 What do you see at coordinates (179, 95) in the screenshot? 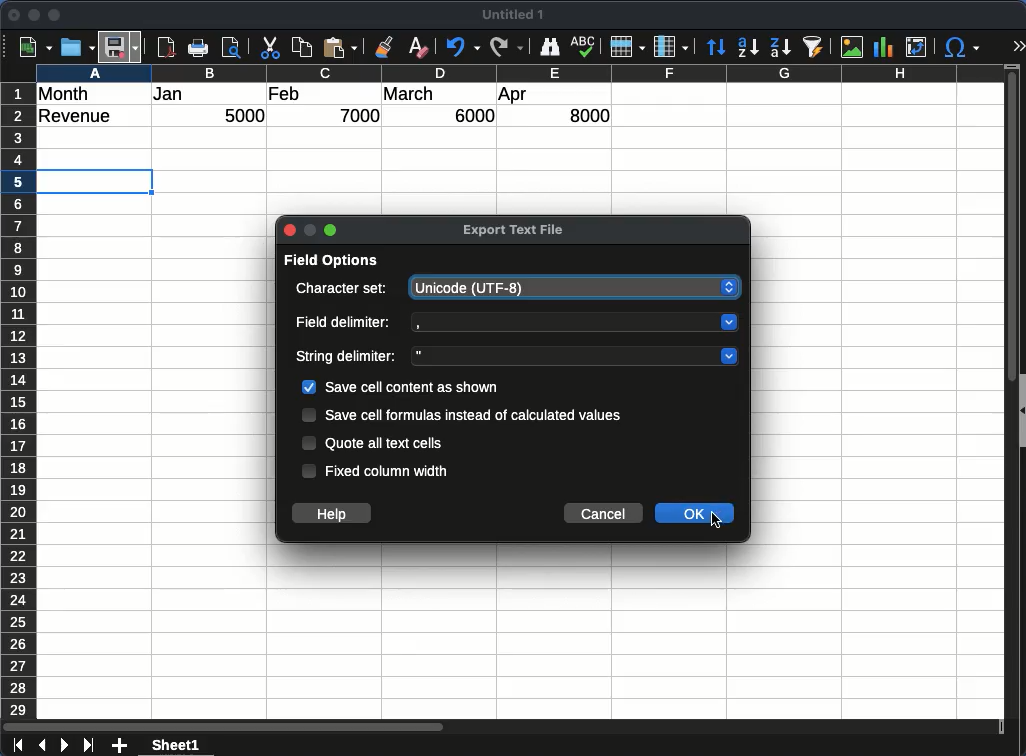
I see `jan` at bounding box center [179, 95].